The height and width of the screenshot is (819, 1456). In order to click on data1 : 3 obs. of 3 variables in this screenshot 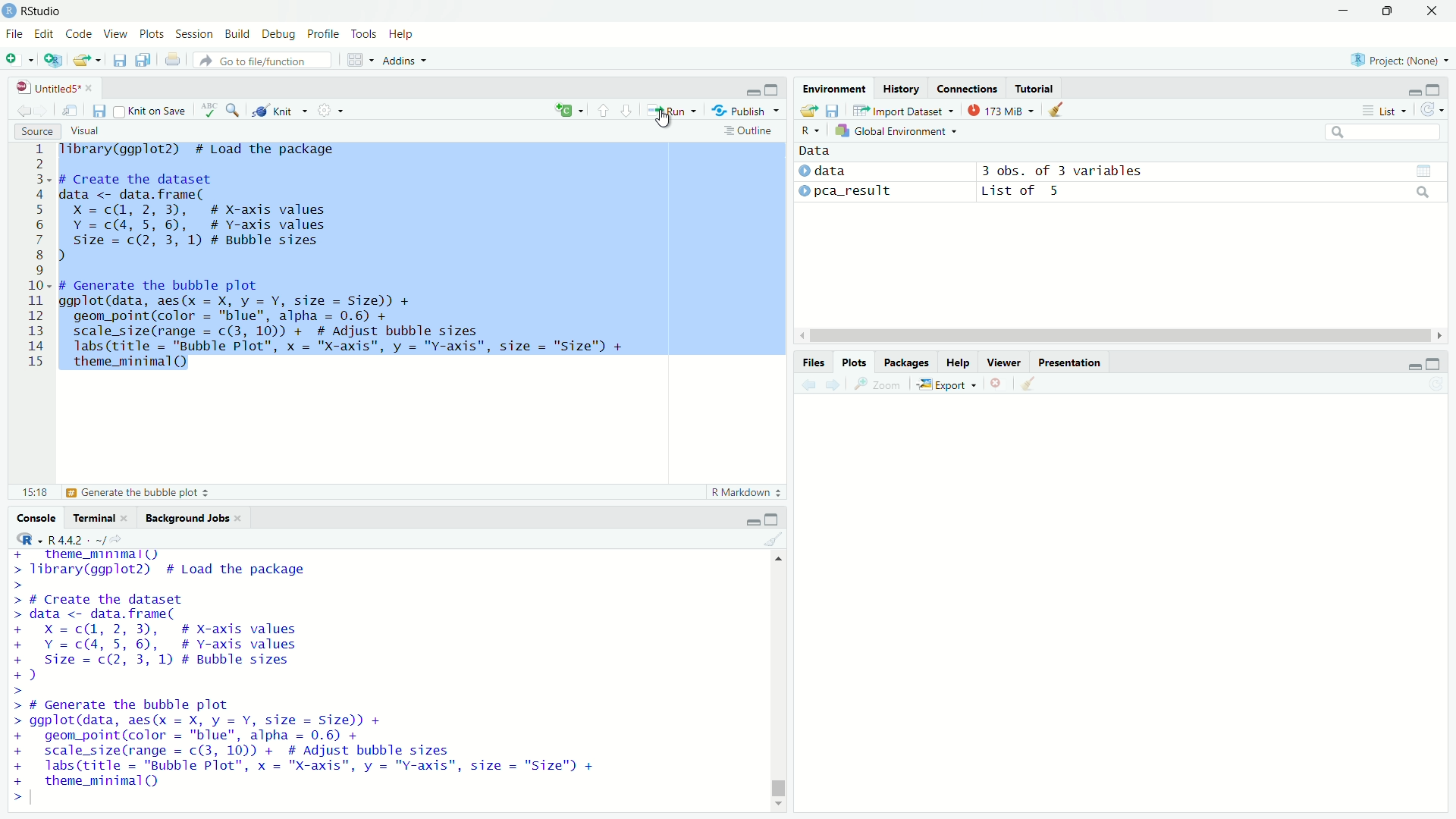, I will do `click(1212, 172)`.